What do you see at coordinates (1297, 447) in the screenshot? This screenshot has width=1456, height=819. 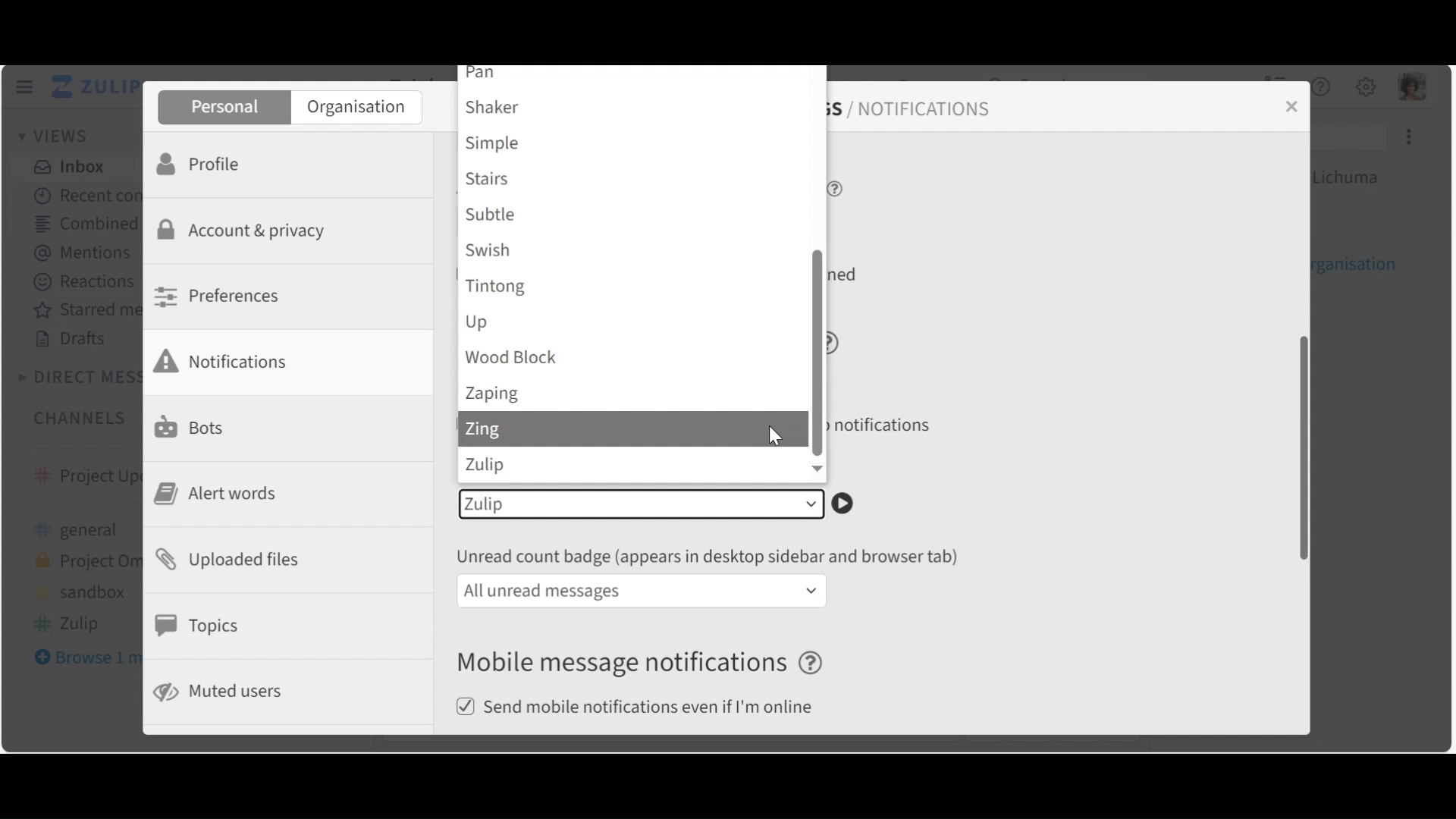 I see `vertical scroll bar` at bounding box center [1297, 447].